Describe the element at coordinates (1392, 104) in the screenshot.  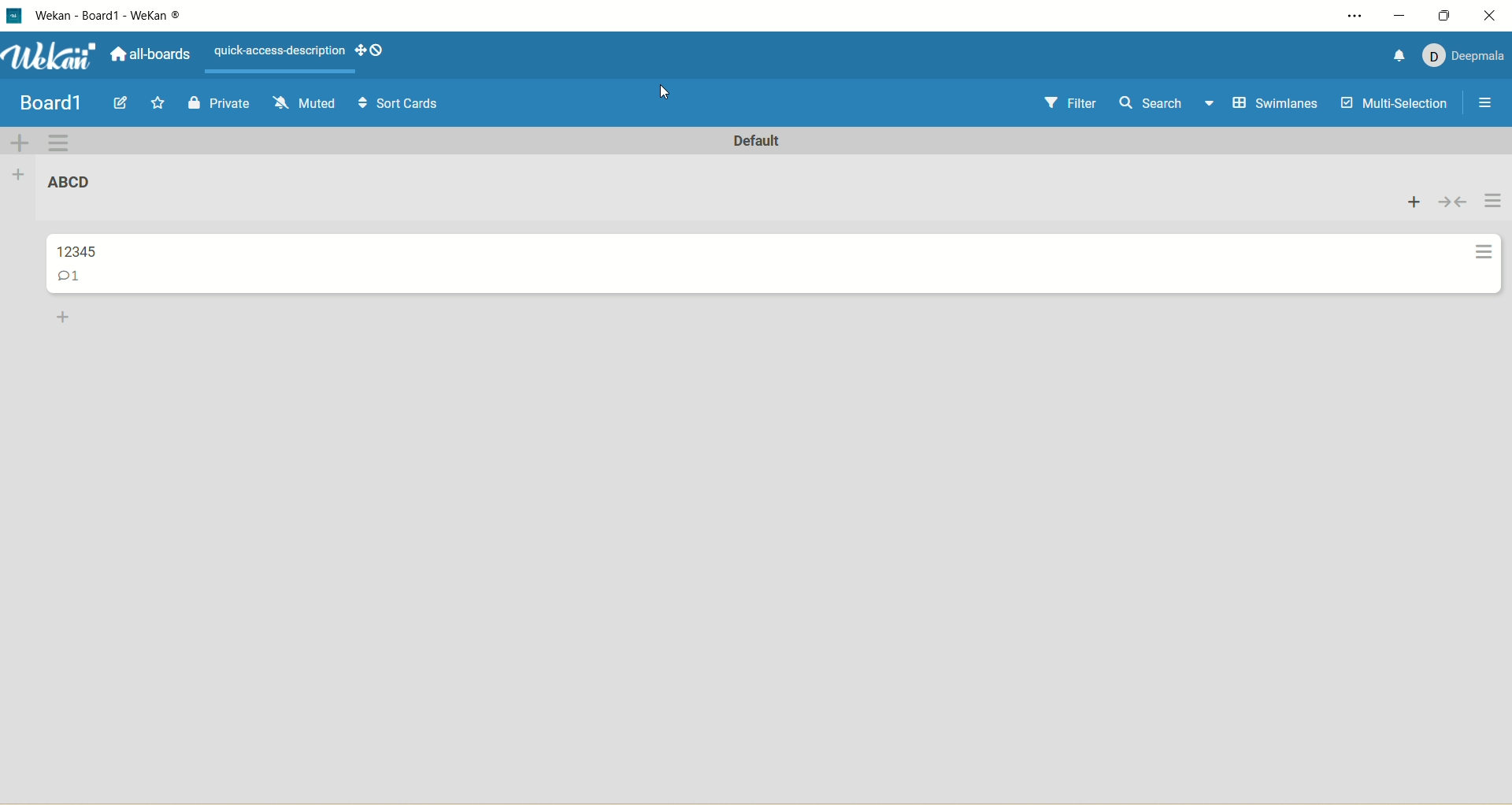
I see `multi-selection` at that location.